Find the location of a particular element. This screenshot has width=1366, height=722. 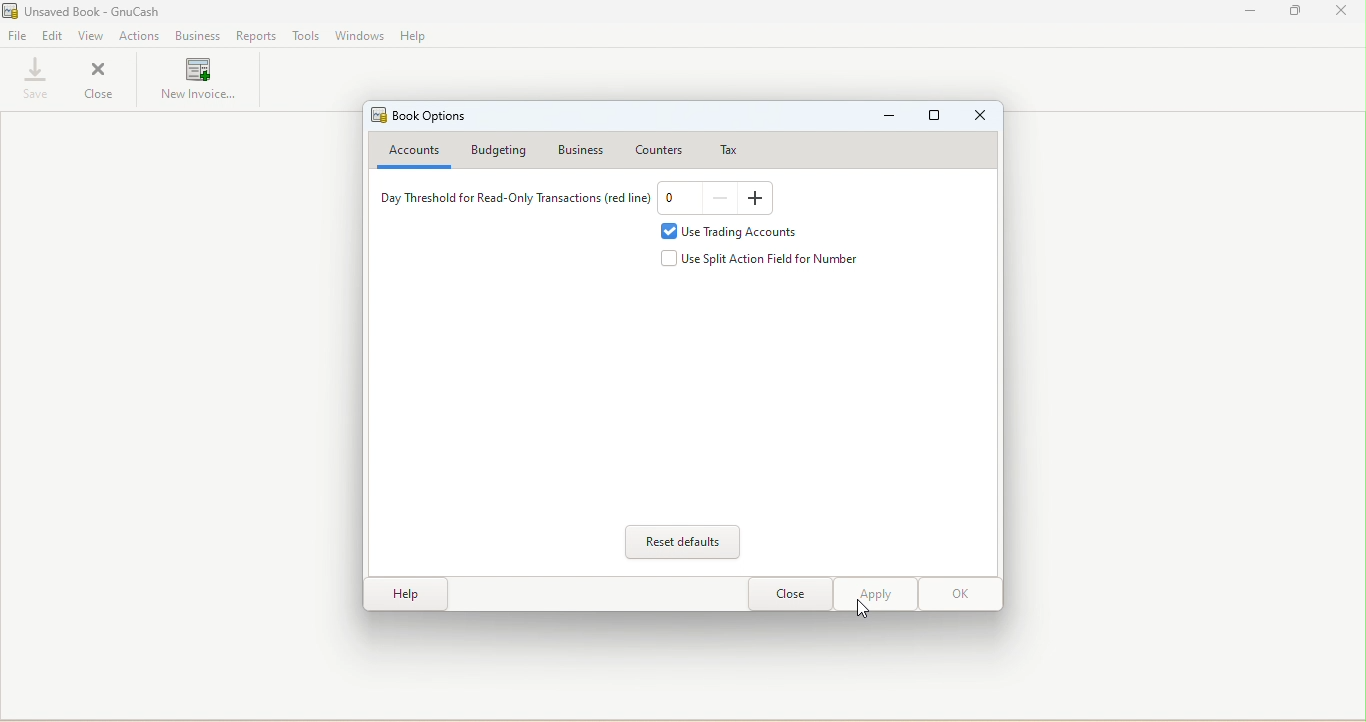

Text box is located at coordinates (677, 200).